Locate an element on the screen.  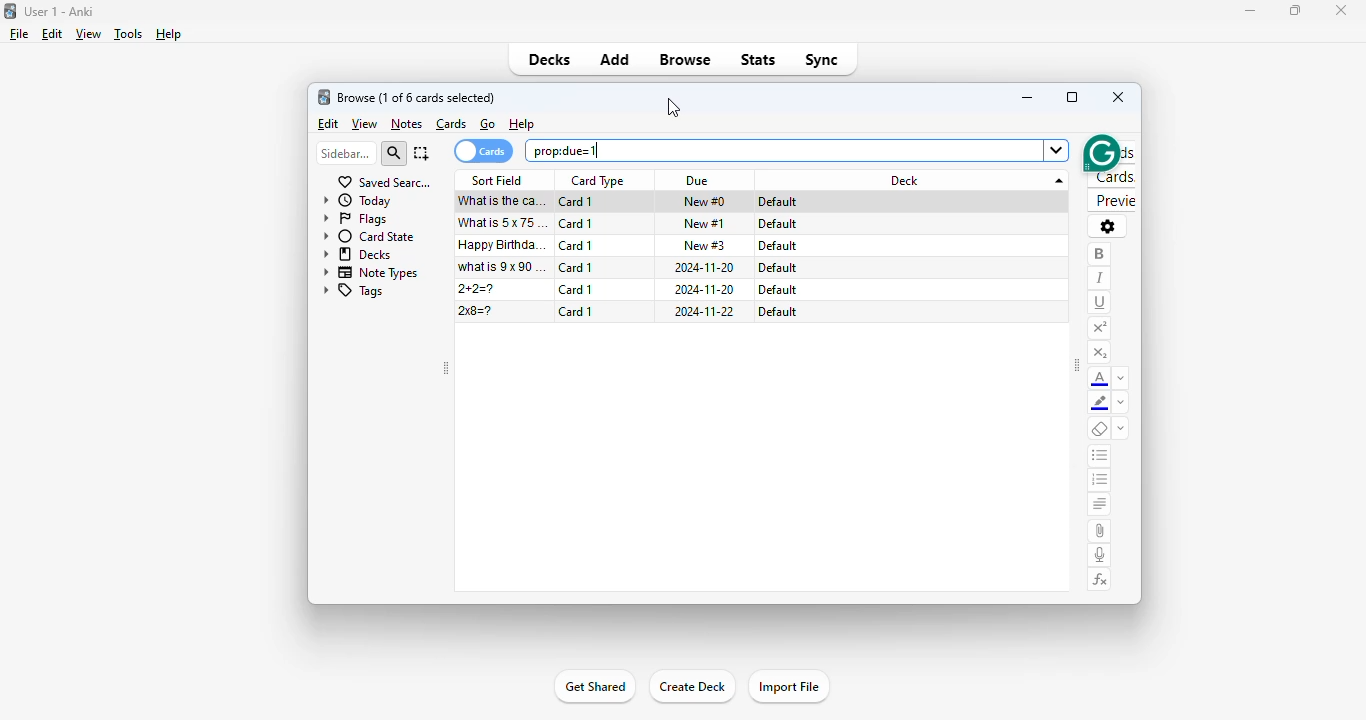
2x9=? is located at coordinates (475, 311).